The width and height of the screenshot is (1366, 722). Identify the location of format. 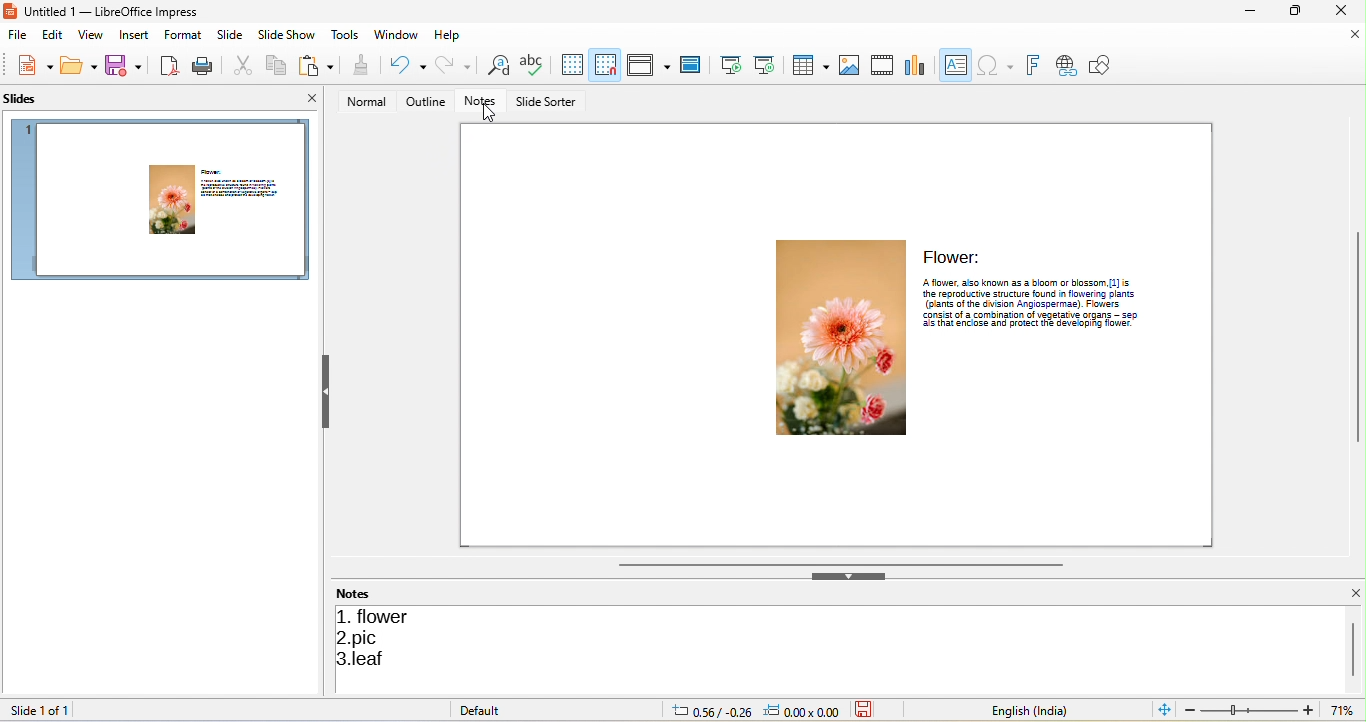
(181, 37).